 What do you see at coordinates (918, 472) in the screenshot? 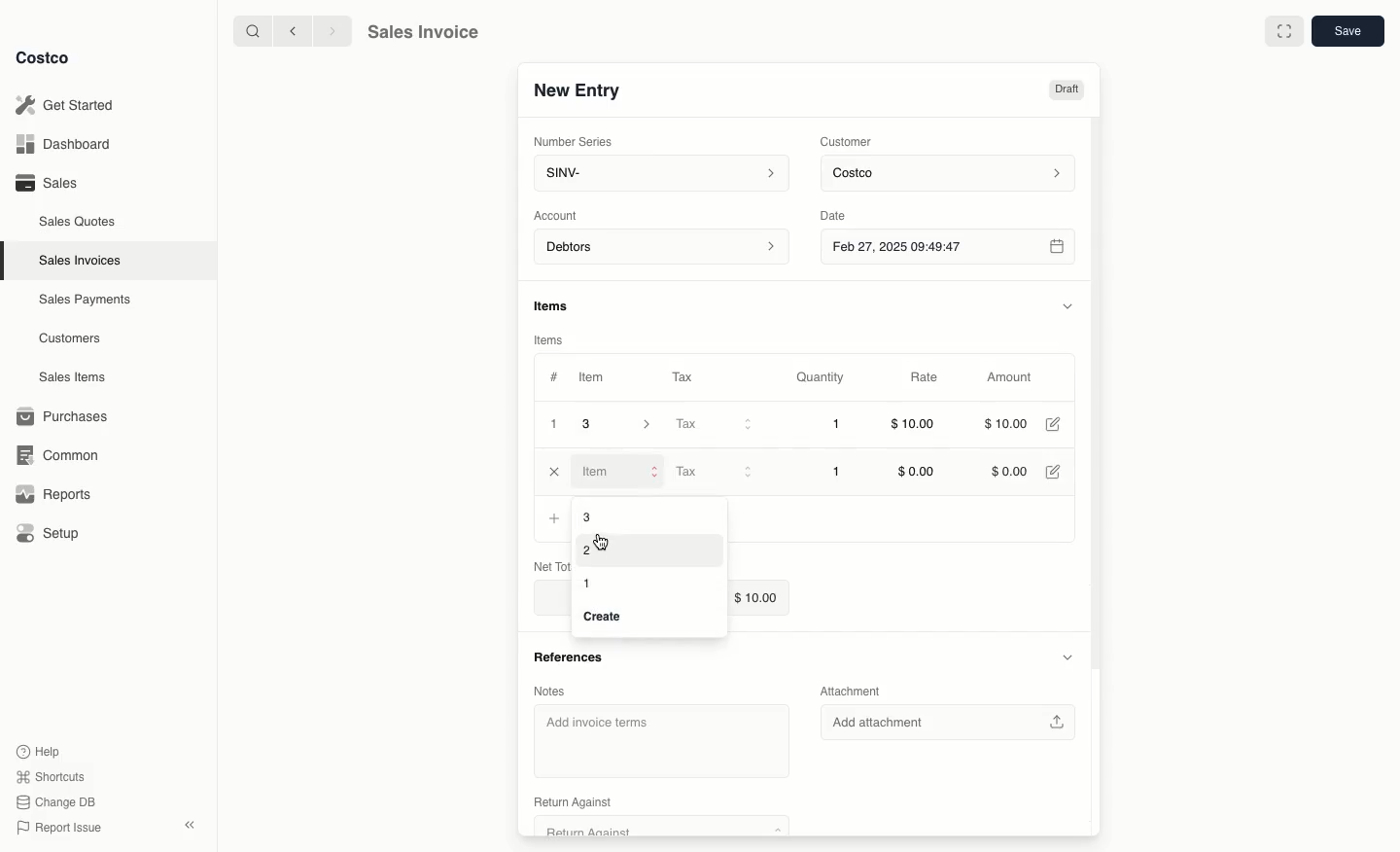
I see `$0.00` at bounding box center [918, 472].